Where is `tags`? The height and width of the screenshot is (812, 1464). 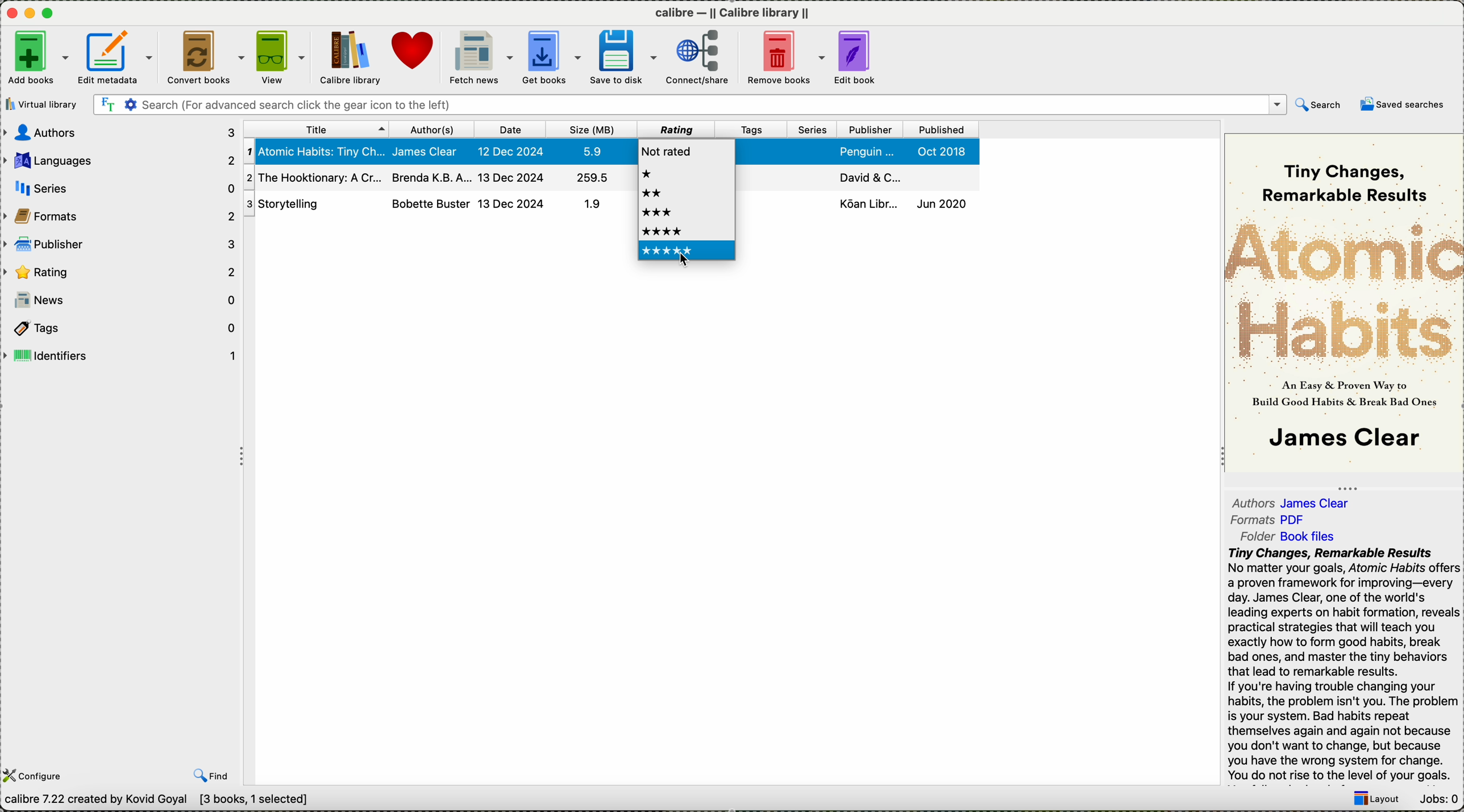
tags is located at coordinates (757, 207).